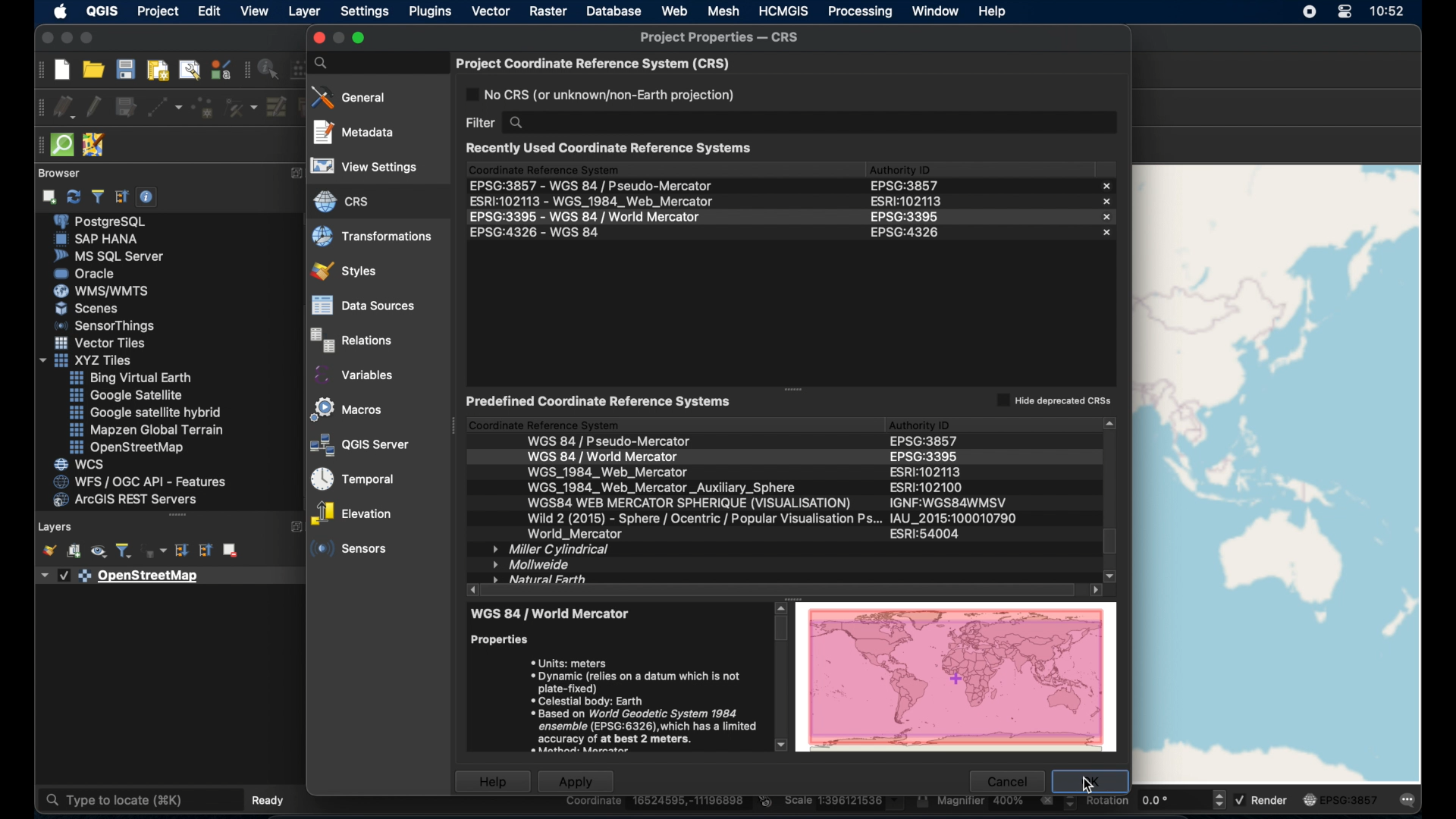 The height and width of the screenshot is (819, 1456). What do you see at coordinates (548, 11) in the screenshot?
I see `raster` at bounding box center [548, 11].